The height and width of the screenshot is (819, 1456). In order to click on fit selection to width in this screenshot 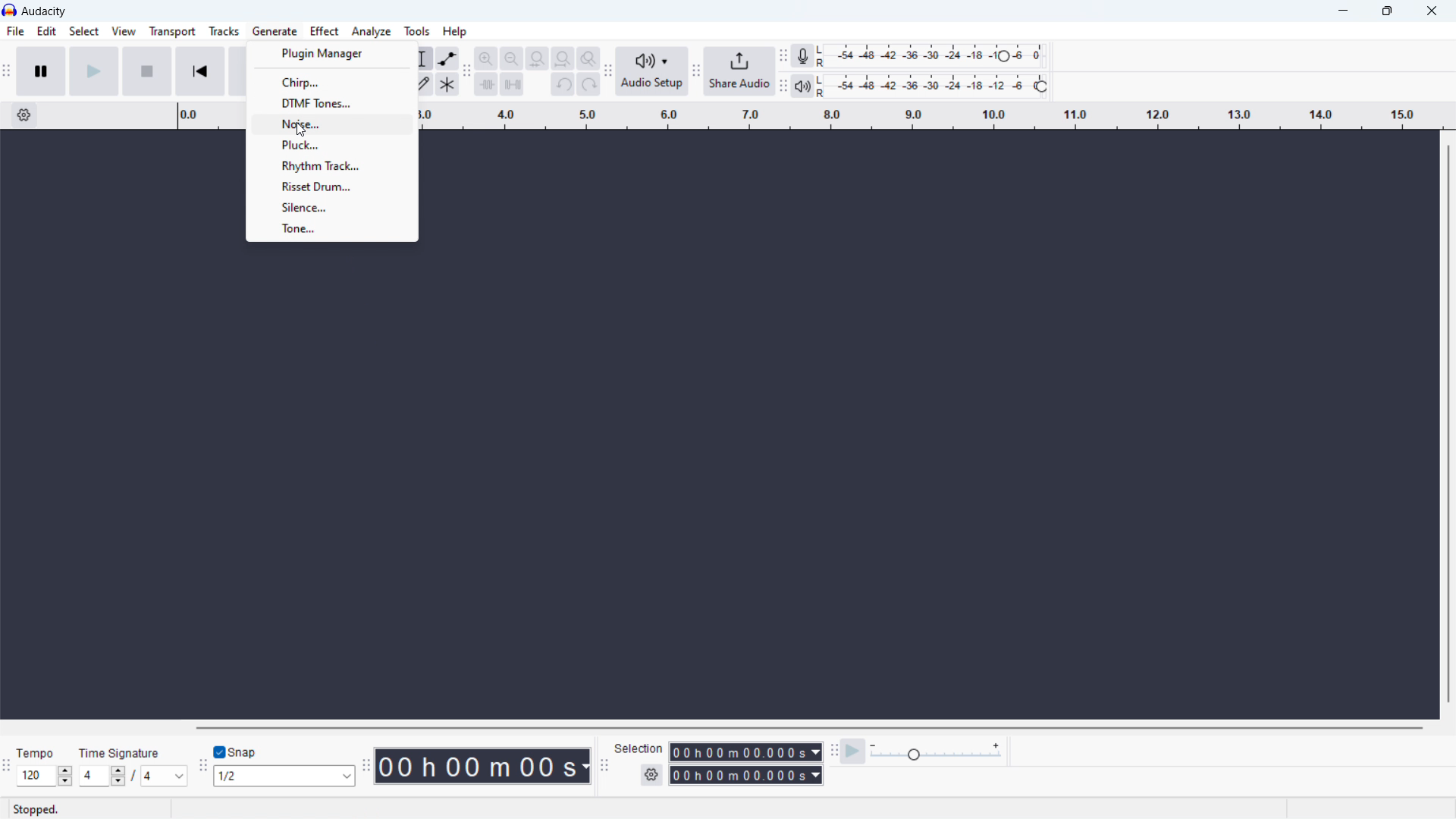, I will do `click(538, 58)`.